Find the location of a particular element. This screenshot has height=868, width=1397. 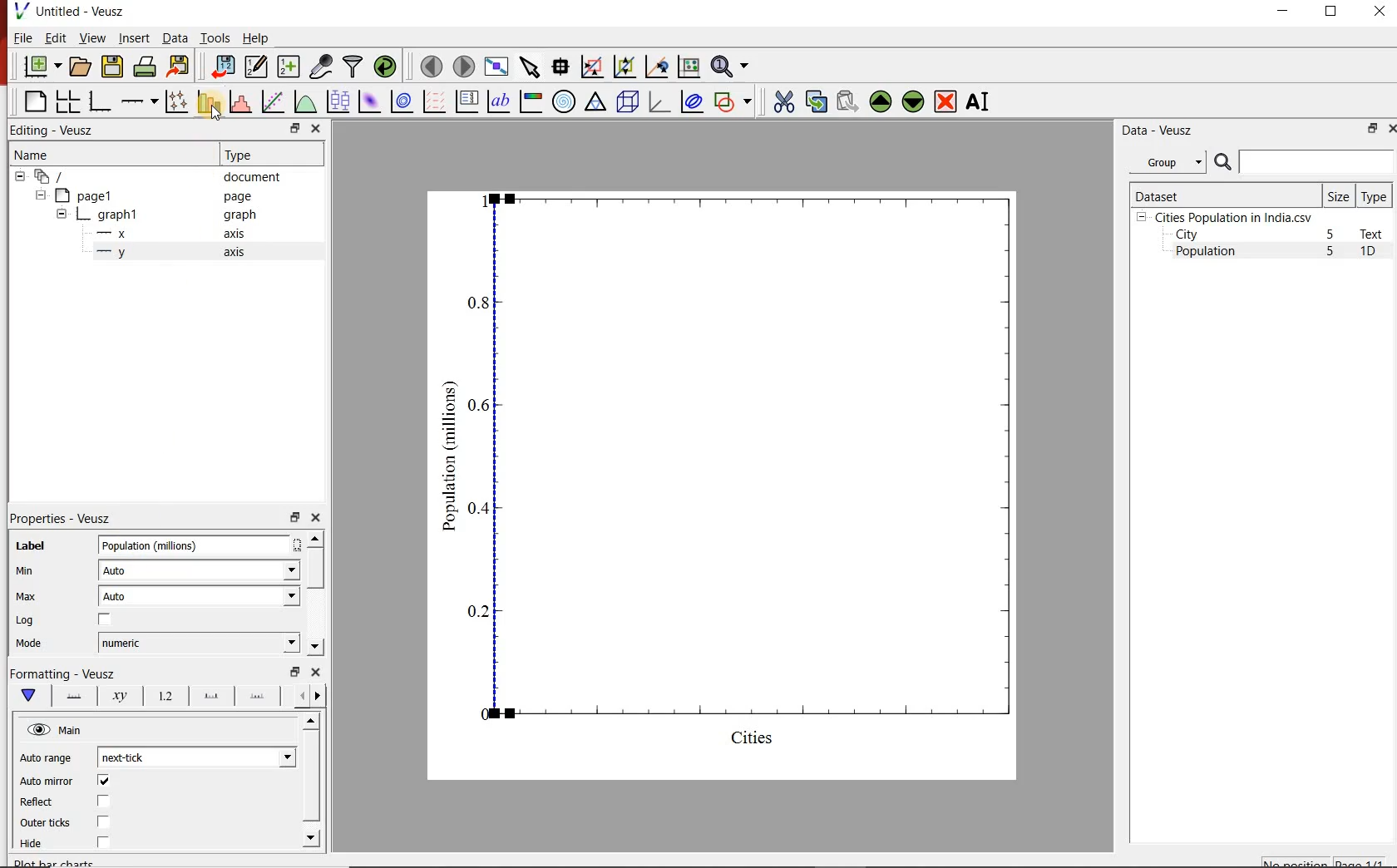

paste widget from the clipboard is located at coordinates (847, 101).